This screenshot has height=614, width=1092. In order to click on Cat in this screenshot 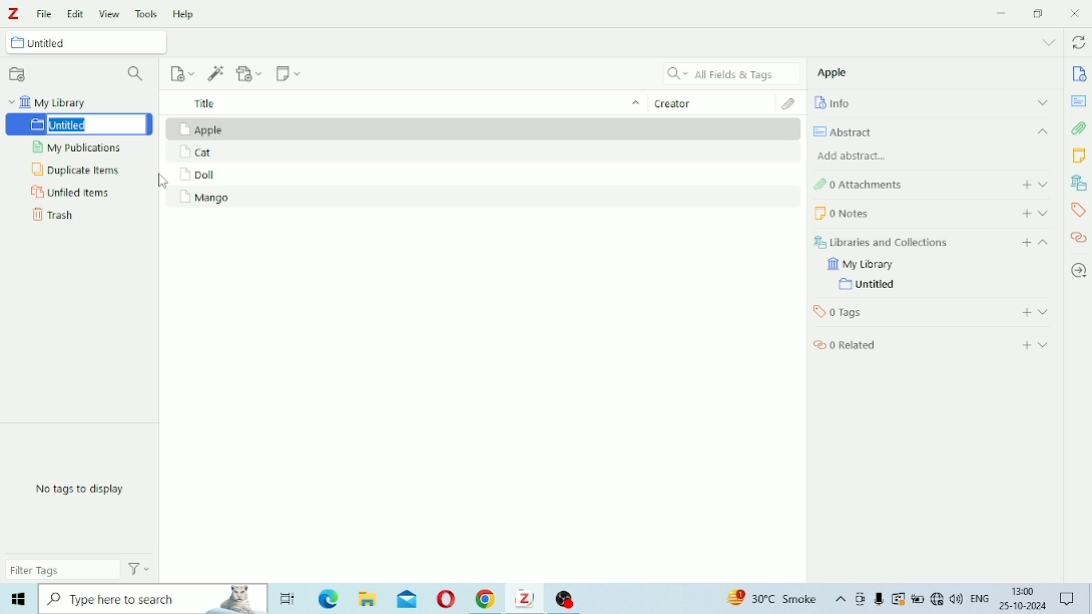, I will do `click(199, 152)`.